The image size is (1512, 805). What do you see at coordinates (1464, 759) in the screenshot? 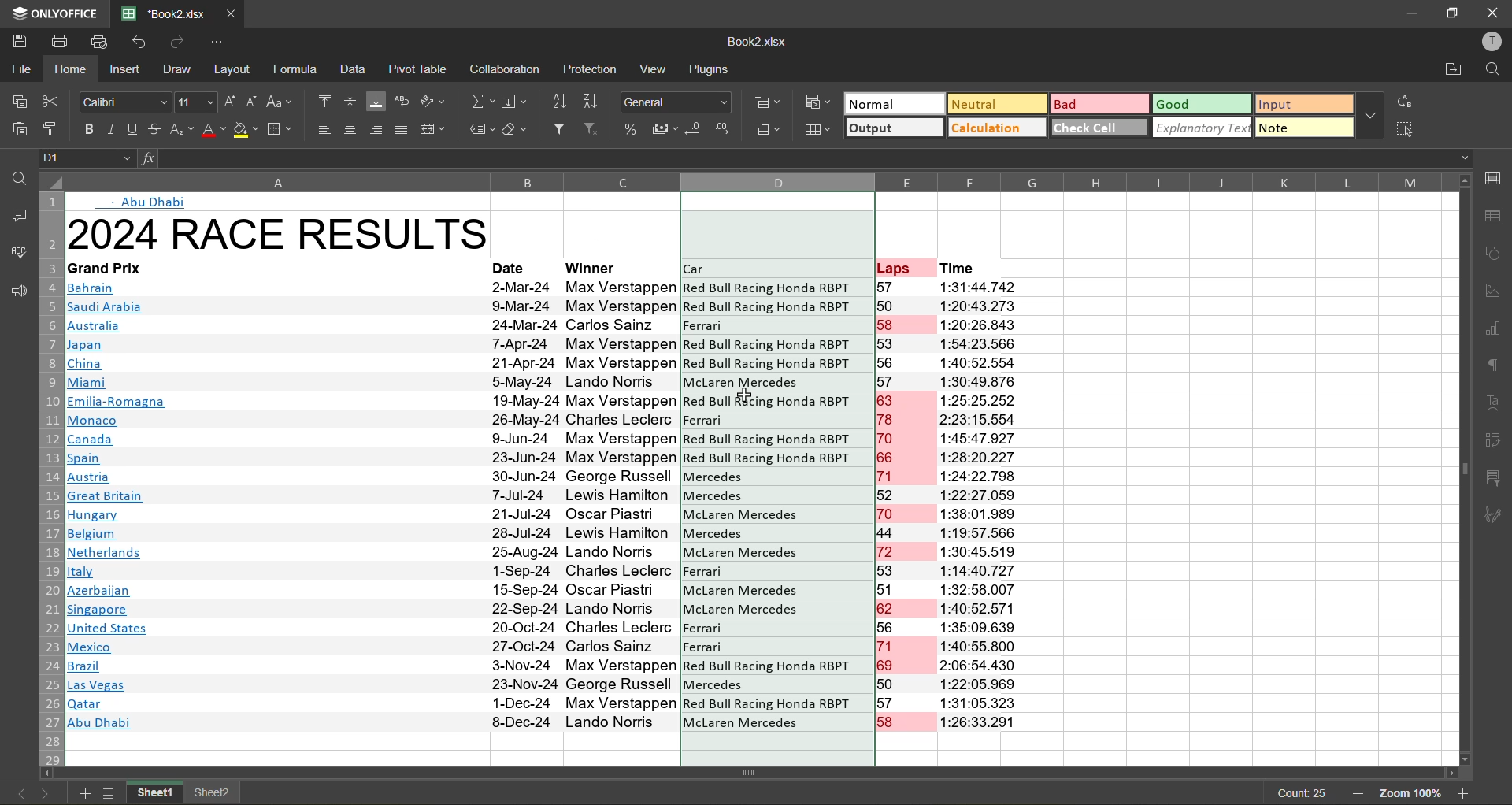
I see `move down` at bounding box center [1464, 759].